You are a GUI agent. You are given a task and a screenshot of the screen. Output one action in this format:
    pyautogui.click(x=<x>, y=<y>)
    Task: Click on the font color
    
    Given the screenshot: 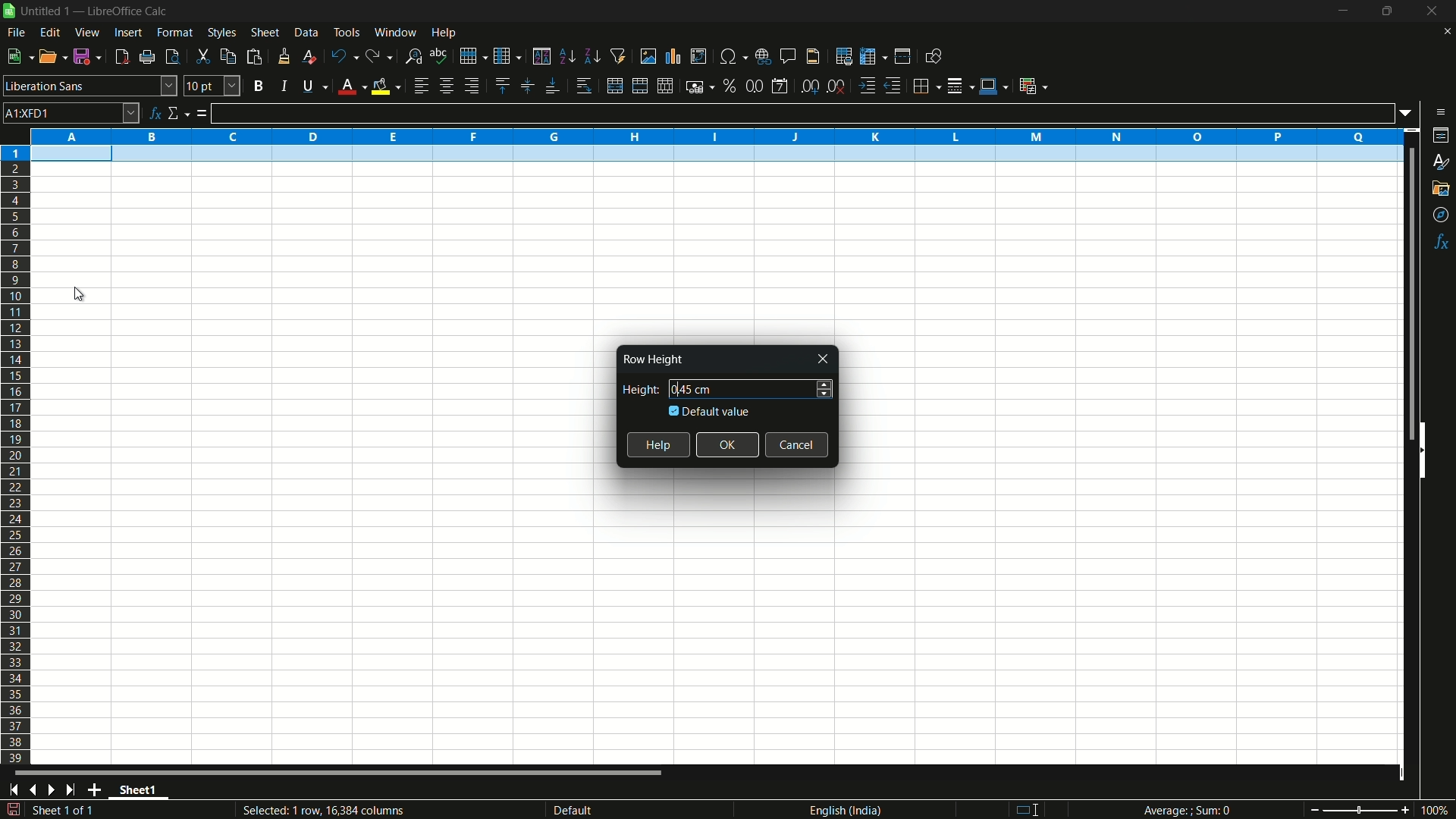 What is the action you would take?
    pyautogui.click(x=350, y=87)
    